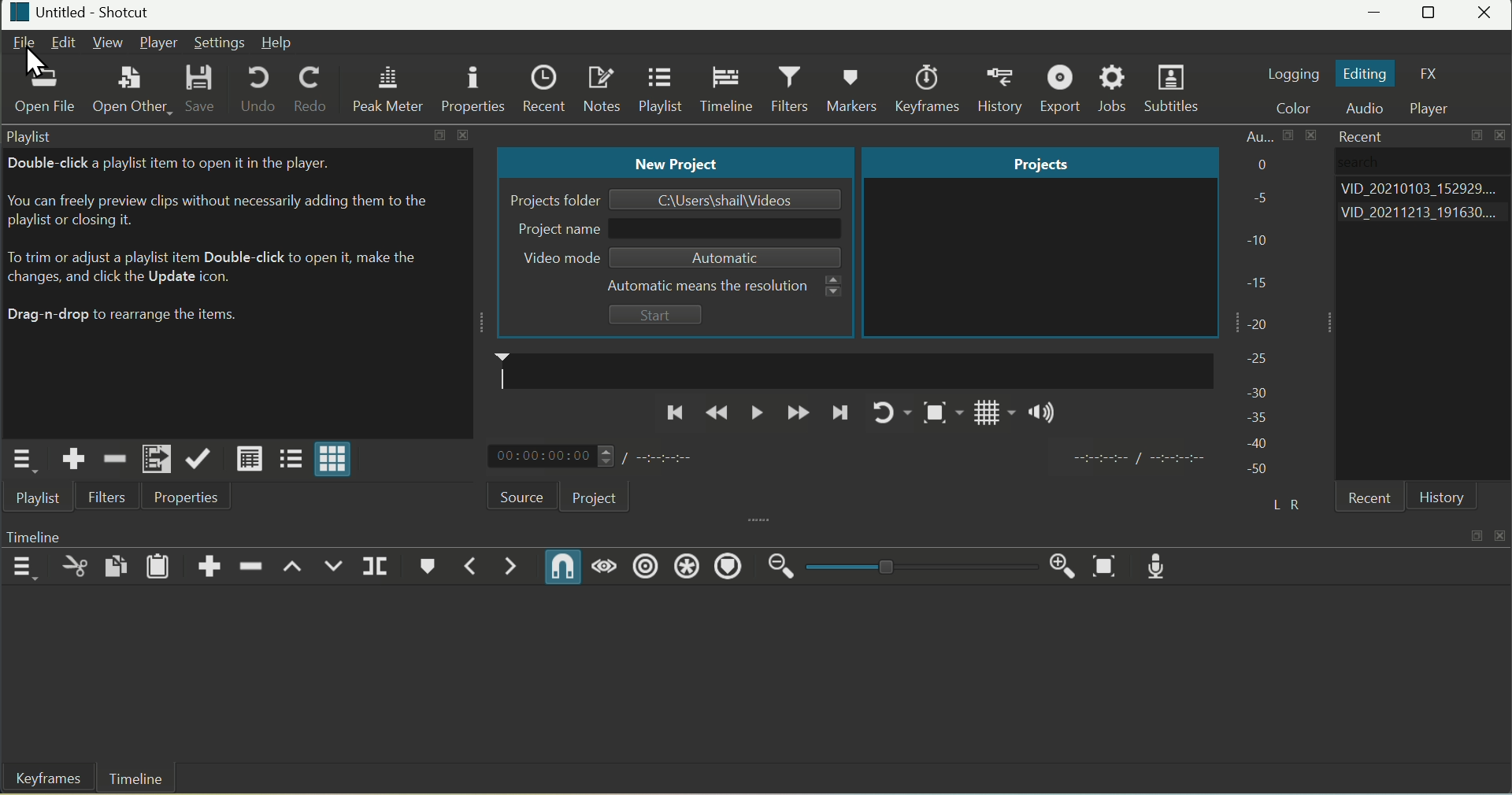 The width and height of the screenshot is (1512, 795). Describe the element at coordinates (311, 91) in the screenshot. I see `Redo` at that location.